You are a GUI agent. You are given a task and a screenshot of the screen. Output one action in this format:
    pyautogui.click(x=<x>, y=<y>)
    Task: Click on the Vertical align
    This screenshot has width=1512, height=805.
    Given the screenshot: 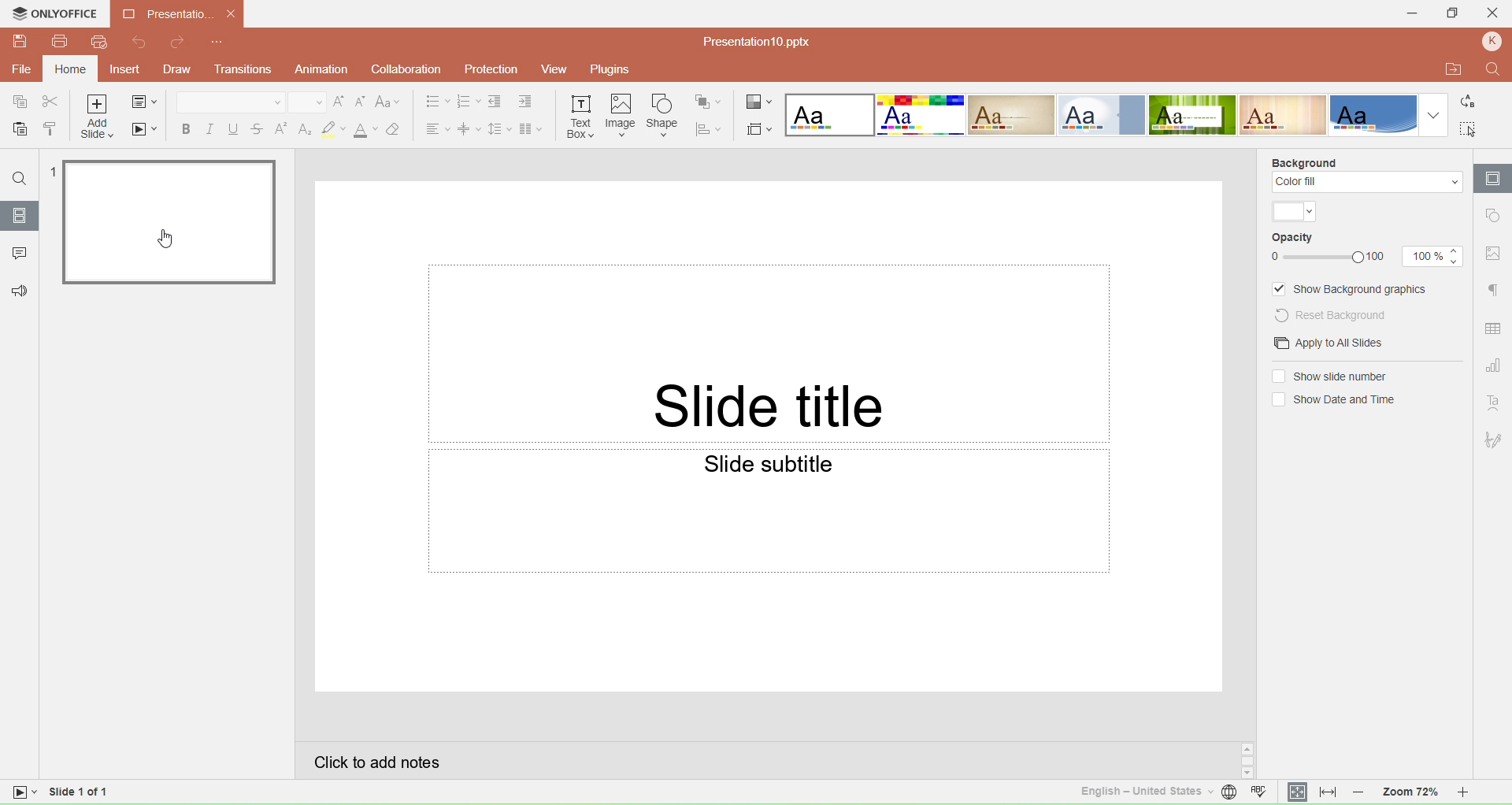 What is the action you would take?
    pyautogui.click(x=469, y=128)
    